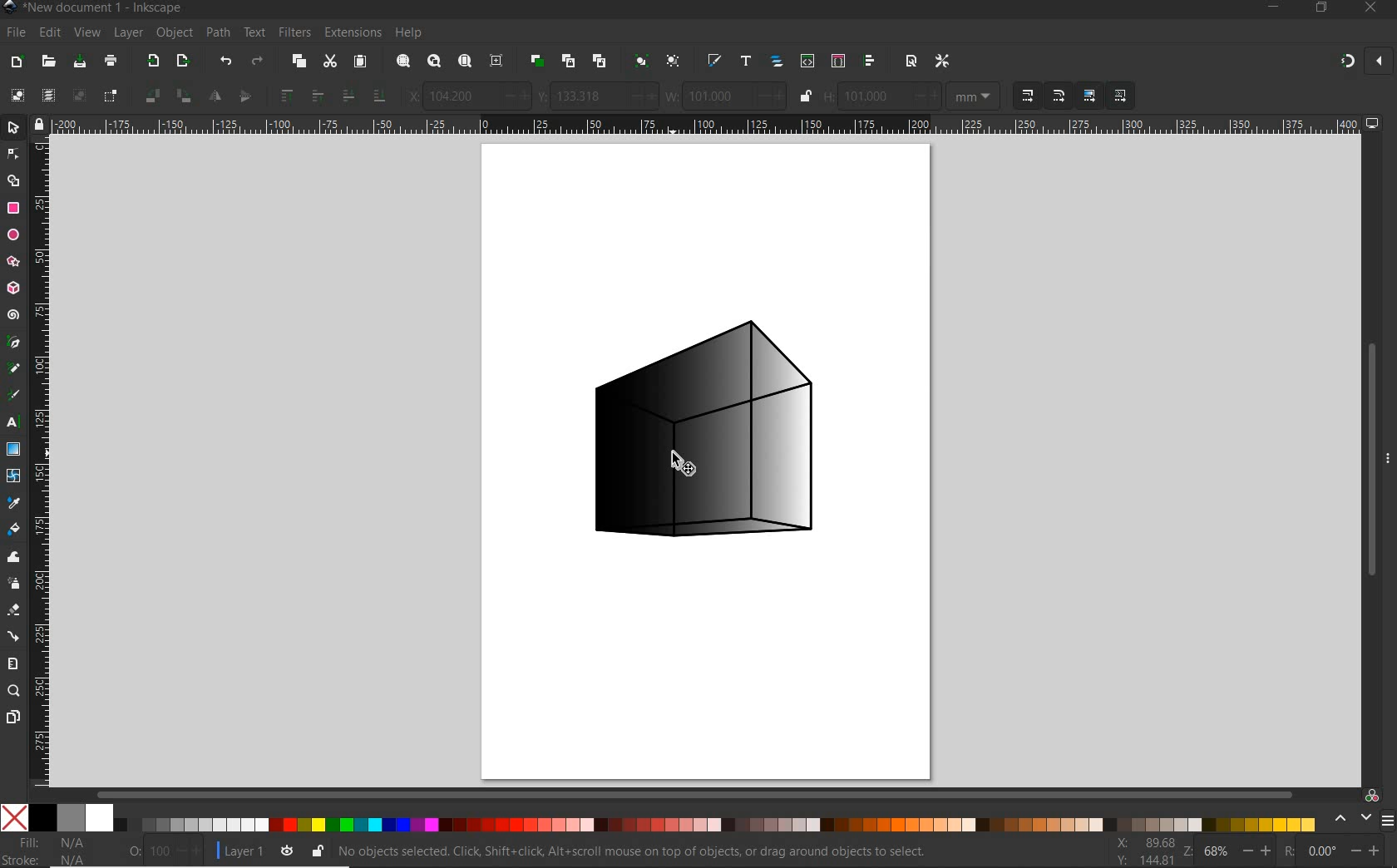 The image size is (1397, 868). What do you see at coordinates (14, 262) in the screenshot?
I see `STAR TOOL` at bounding box center [14, 262].